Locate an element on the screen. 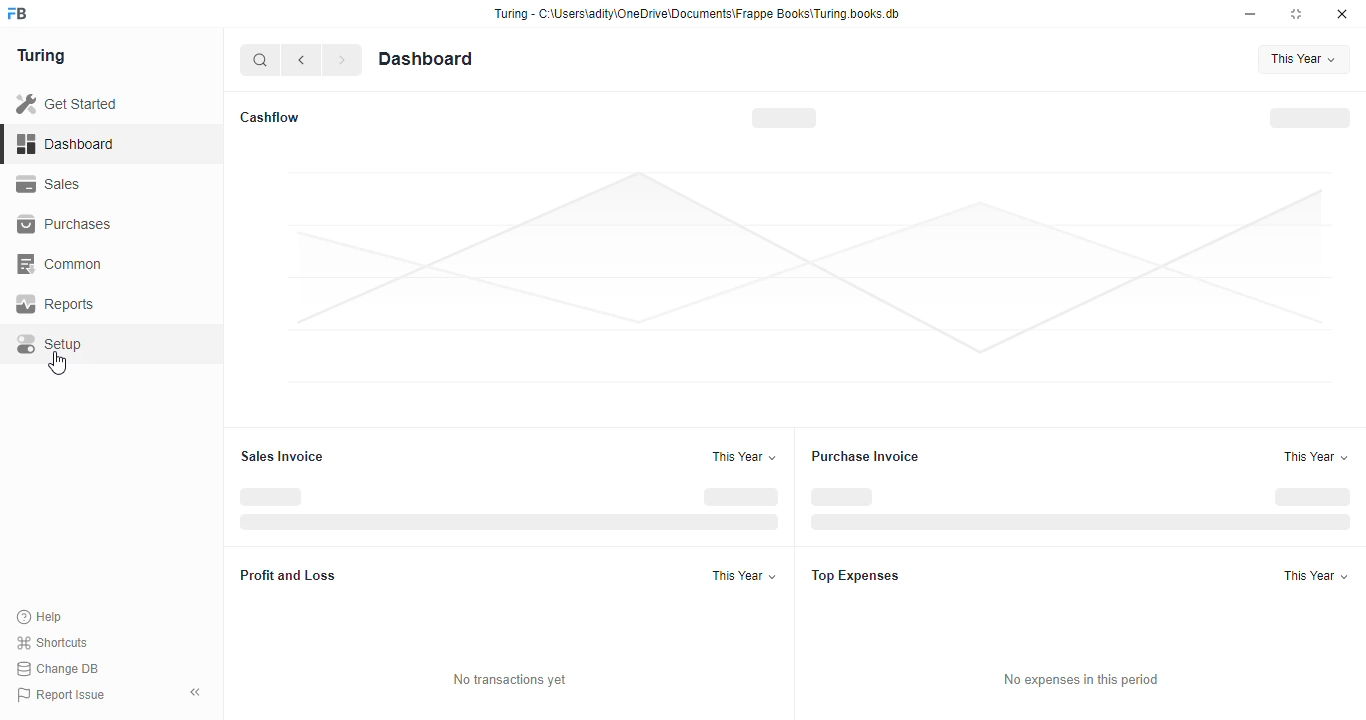  Purchase Invoice is located at coordinates (873, 457).